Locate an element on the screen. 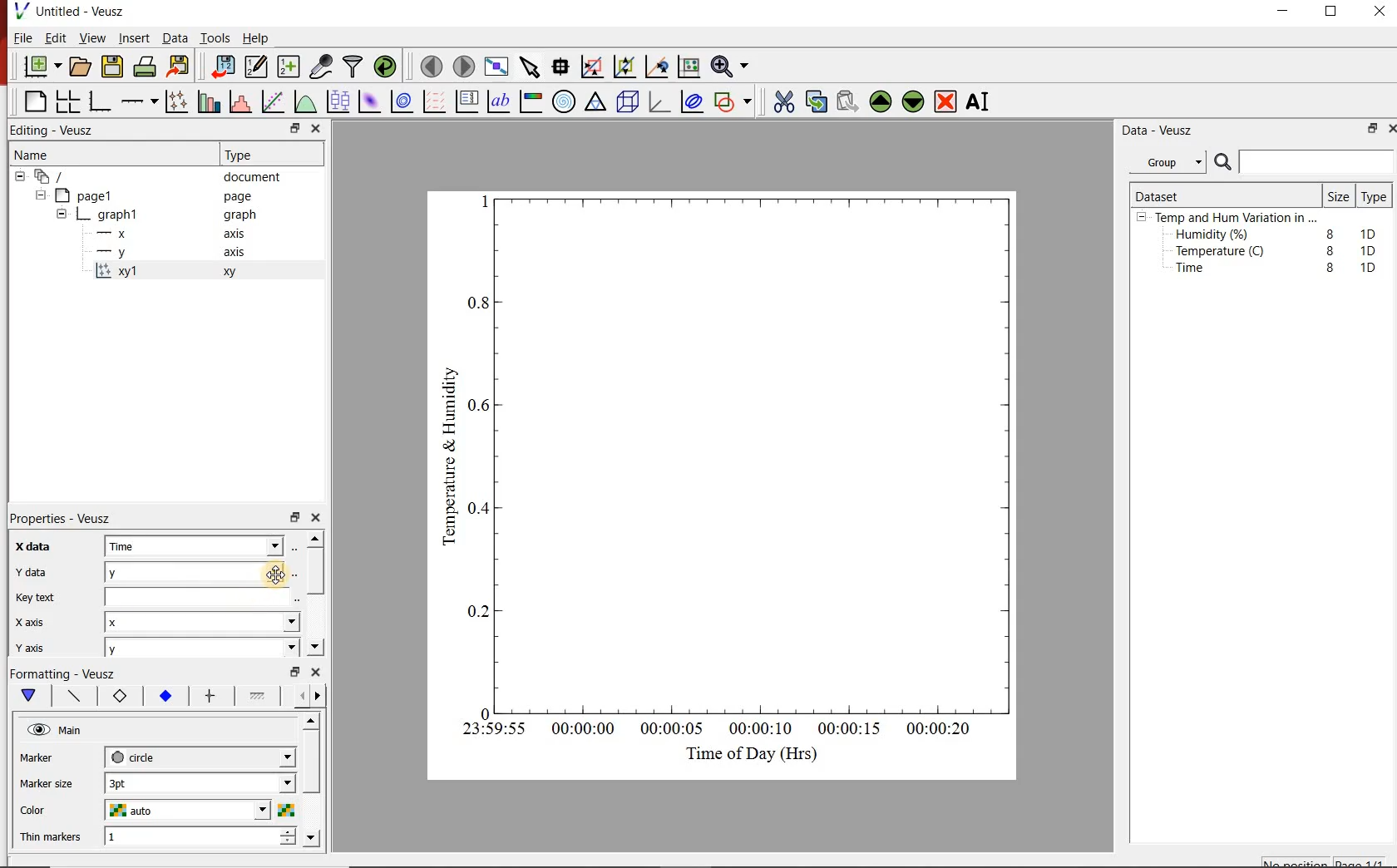 Image resolution: width=1397 pixels, height=868 pixels. ternary graph is located at coordinates (597, 104).